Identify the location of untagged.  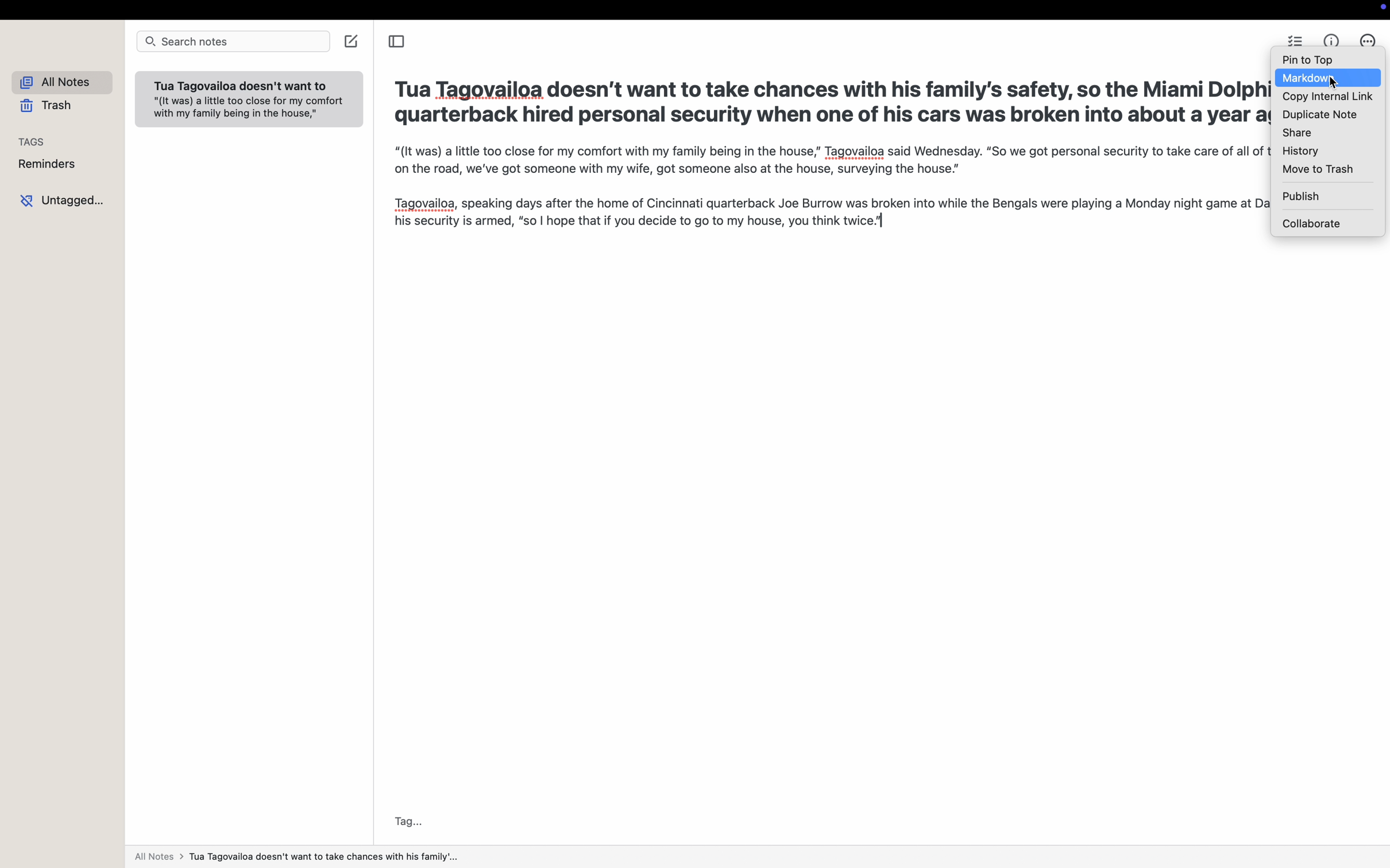
(63, 201).